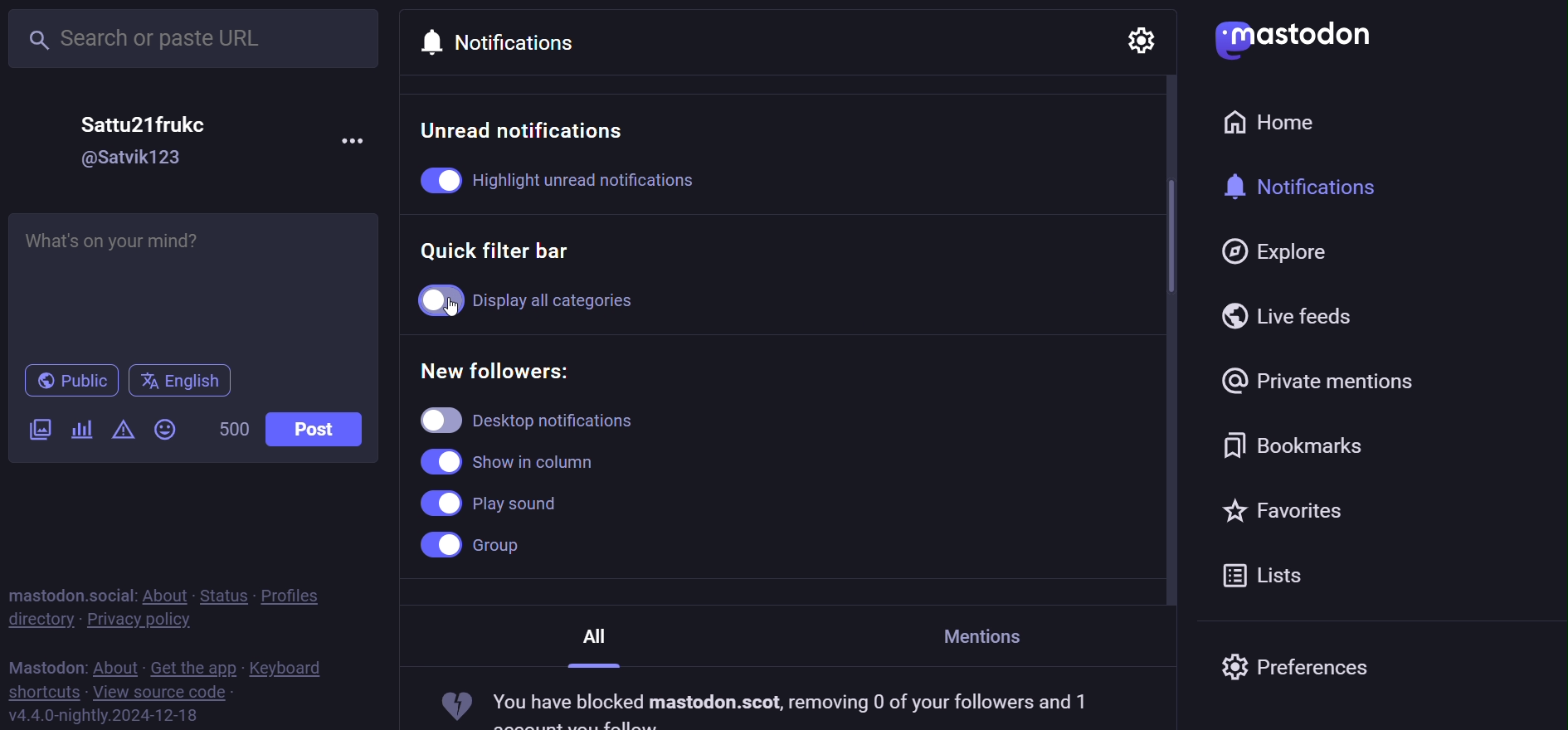  What do you see at coordinates (772, 708) in the screenshot?
I see `You have blocked mastodon.scot, removing 0 of your followers and 1` at bounding box center [772, 708].